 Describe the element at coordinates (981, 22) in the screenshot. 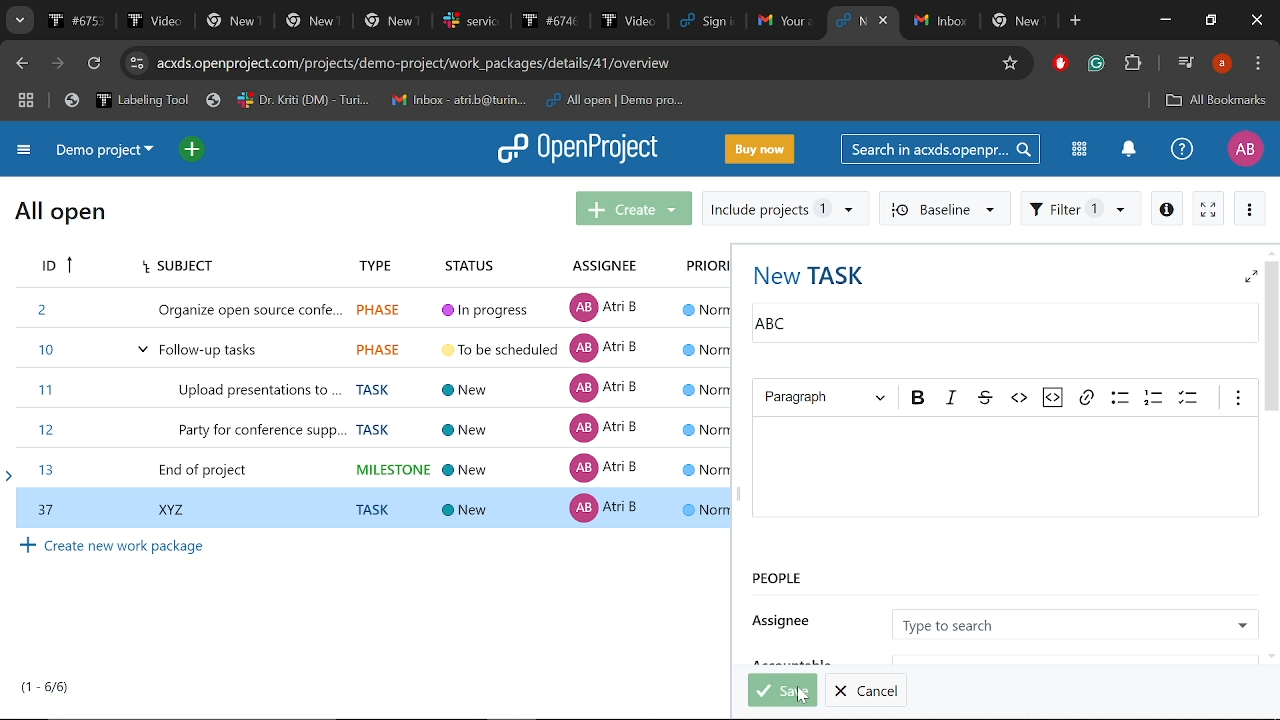

I see `Other tabs` at that location.